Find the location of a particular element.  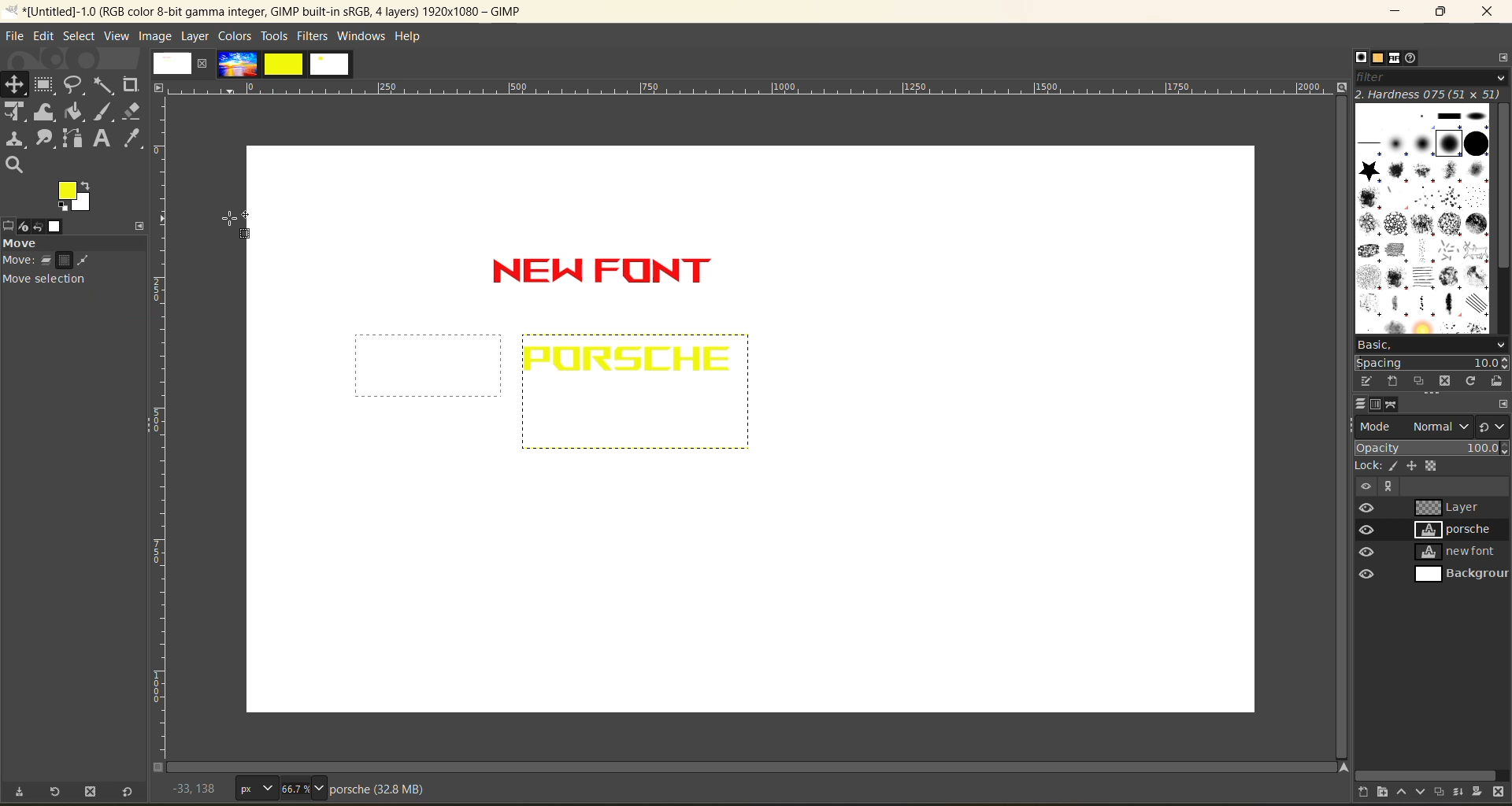

image is located at coordinates (171, 63).